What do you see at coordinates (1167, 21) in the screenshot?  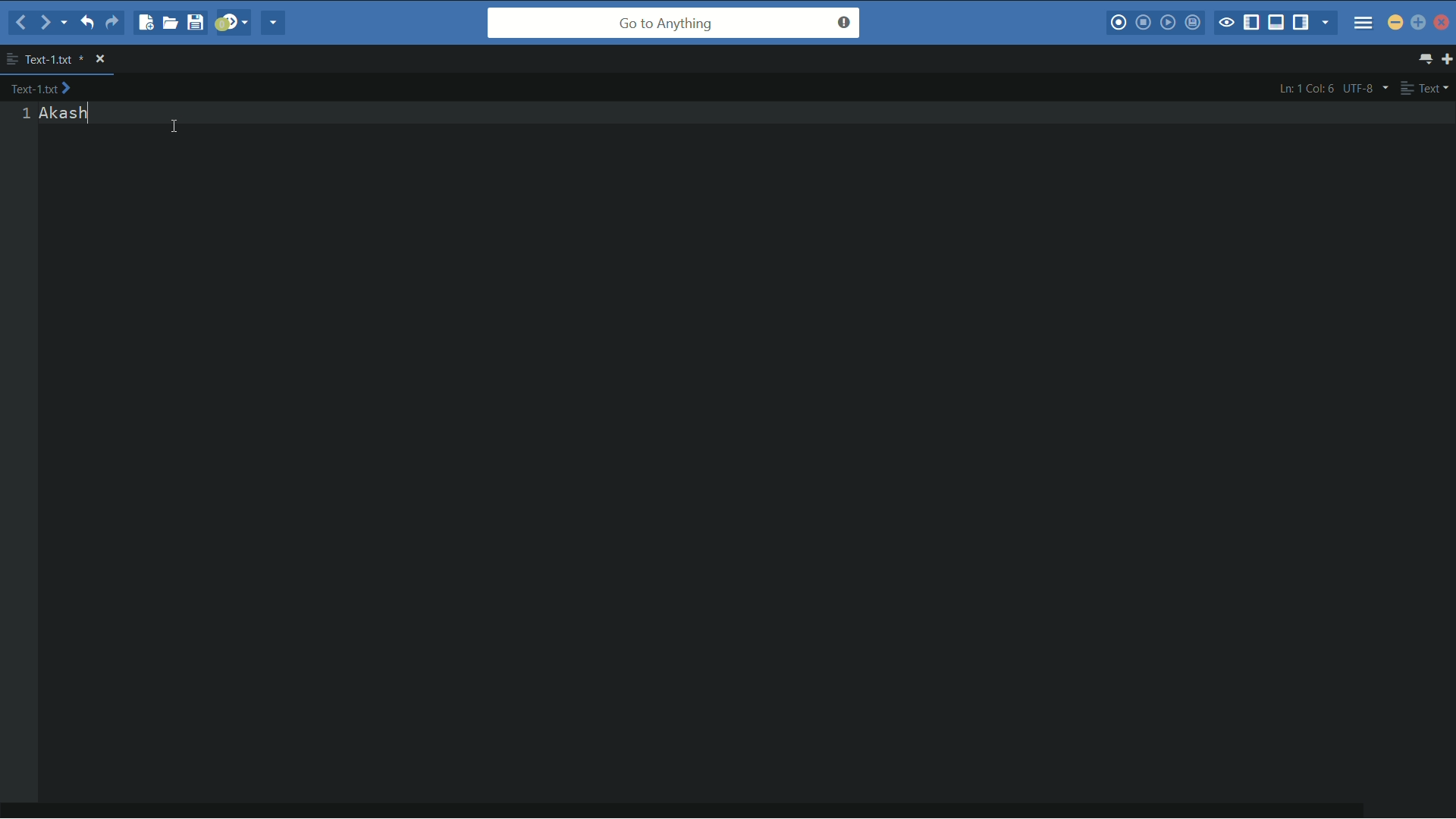 I see `play the last macro` at bounding box center [1167, 21].